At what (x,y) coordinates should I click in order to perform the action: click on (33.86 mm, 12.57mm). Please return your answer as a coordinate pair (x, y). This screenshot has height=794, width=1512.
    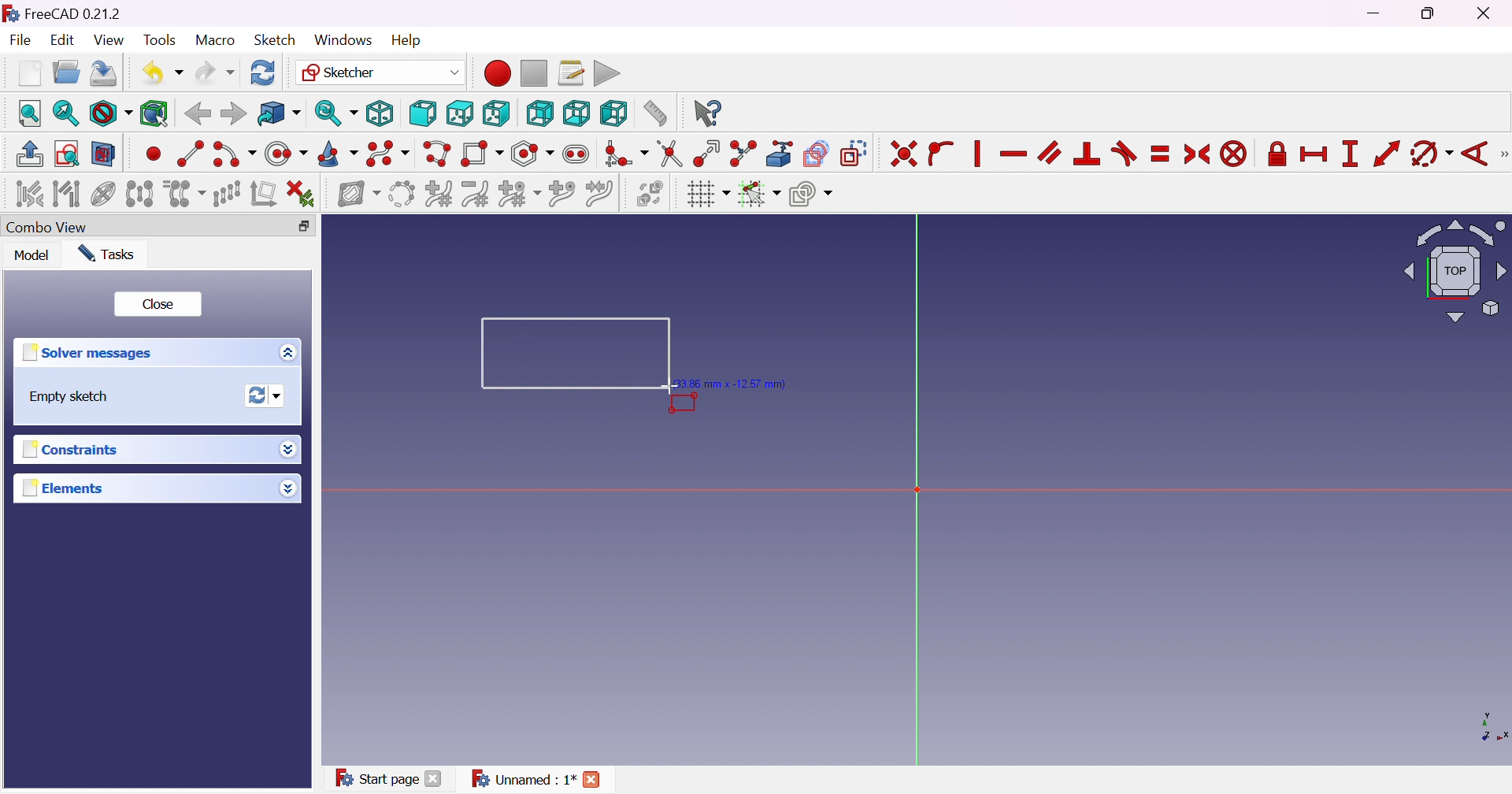
    Looking at the image, I should click on (739, 384).